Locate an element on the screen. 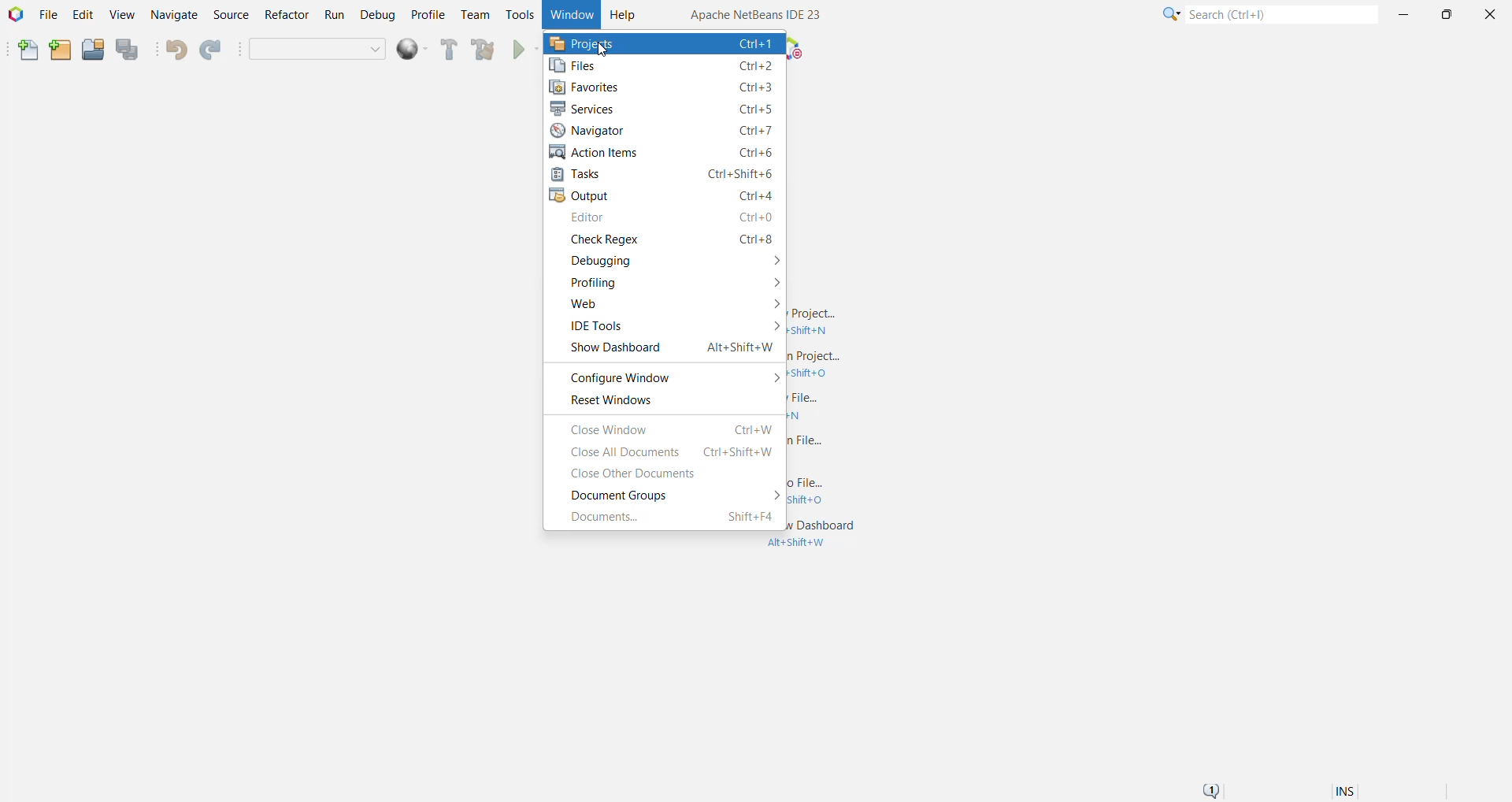 This screenshot has width=1512, height=802. Save All is located at coordinates (130, 51).